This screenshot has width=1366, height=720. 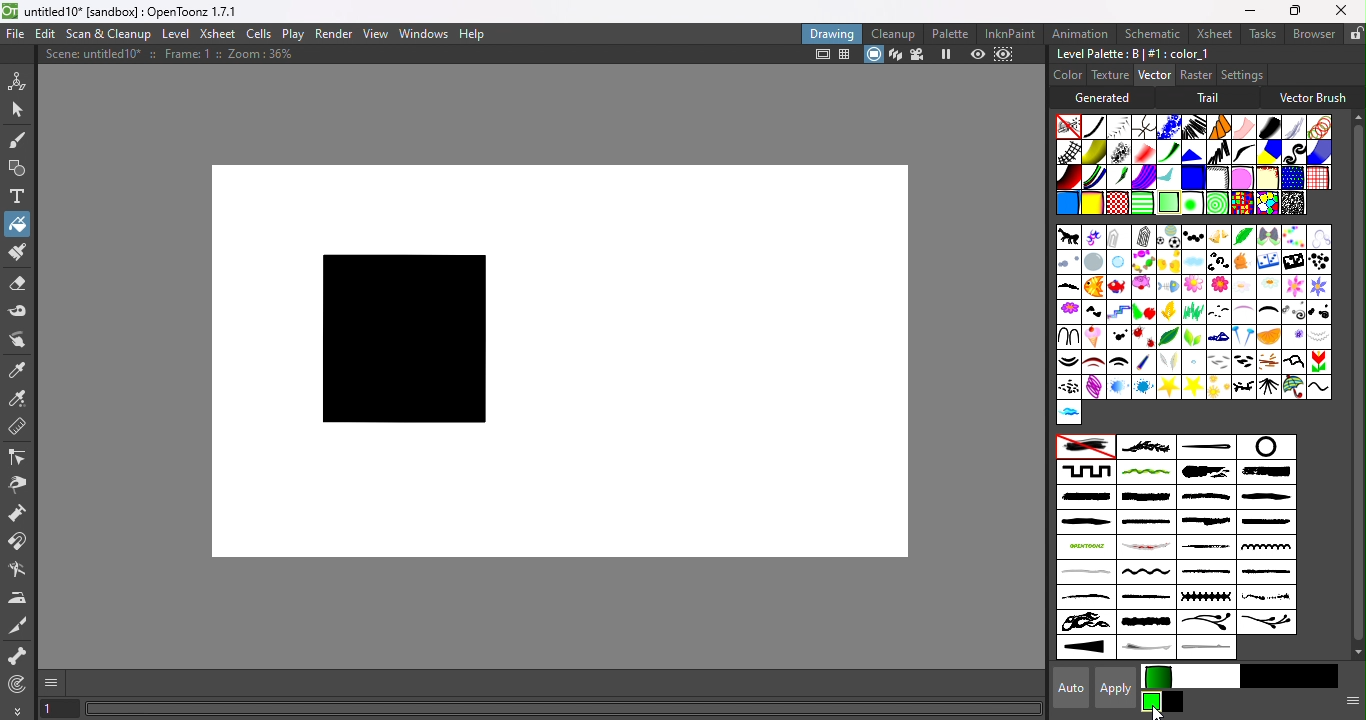 I want to click on large_brush3, so click(x=1084, y=497).